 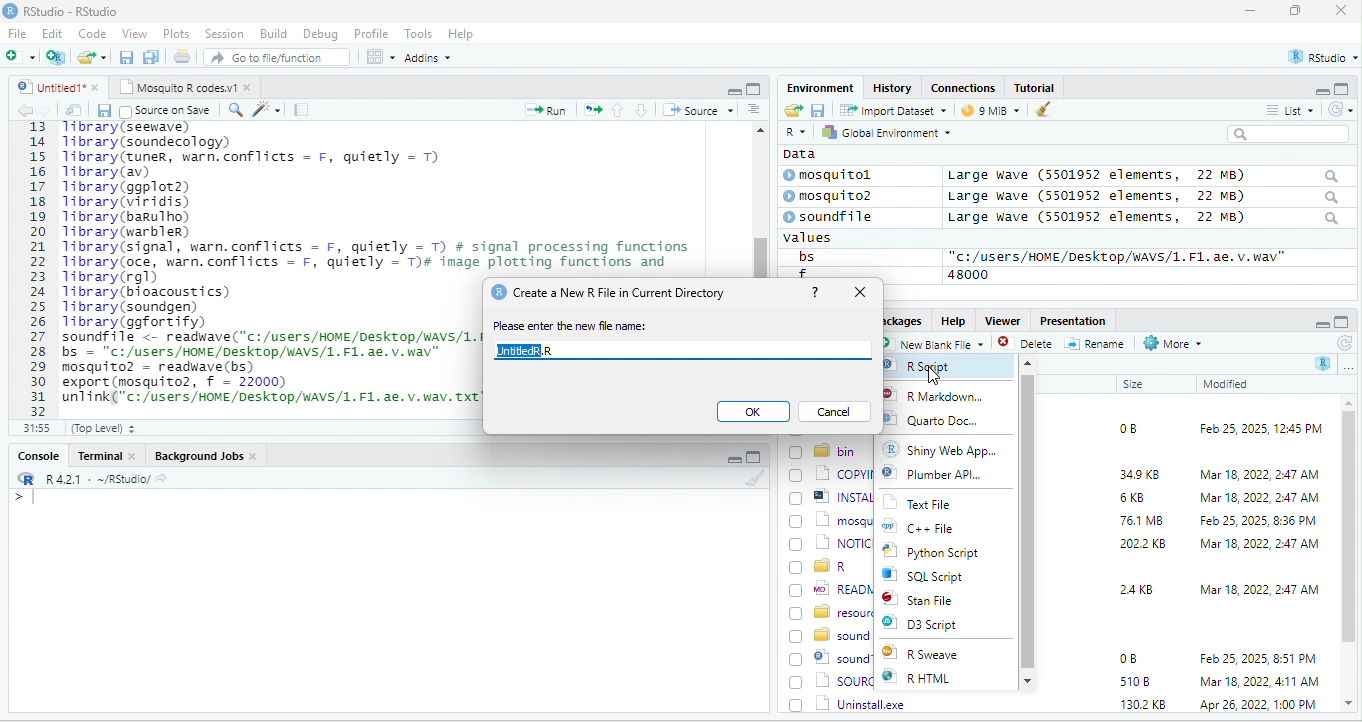 I want to click on down, so click(x=642, y=109).